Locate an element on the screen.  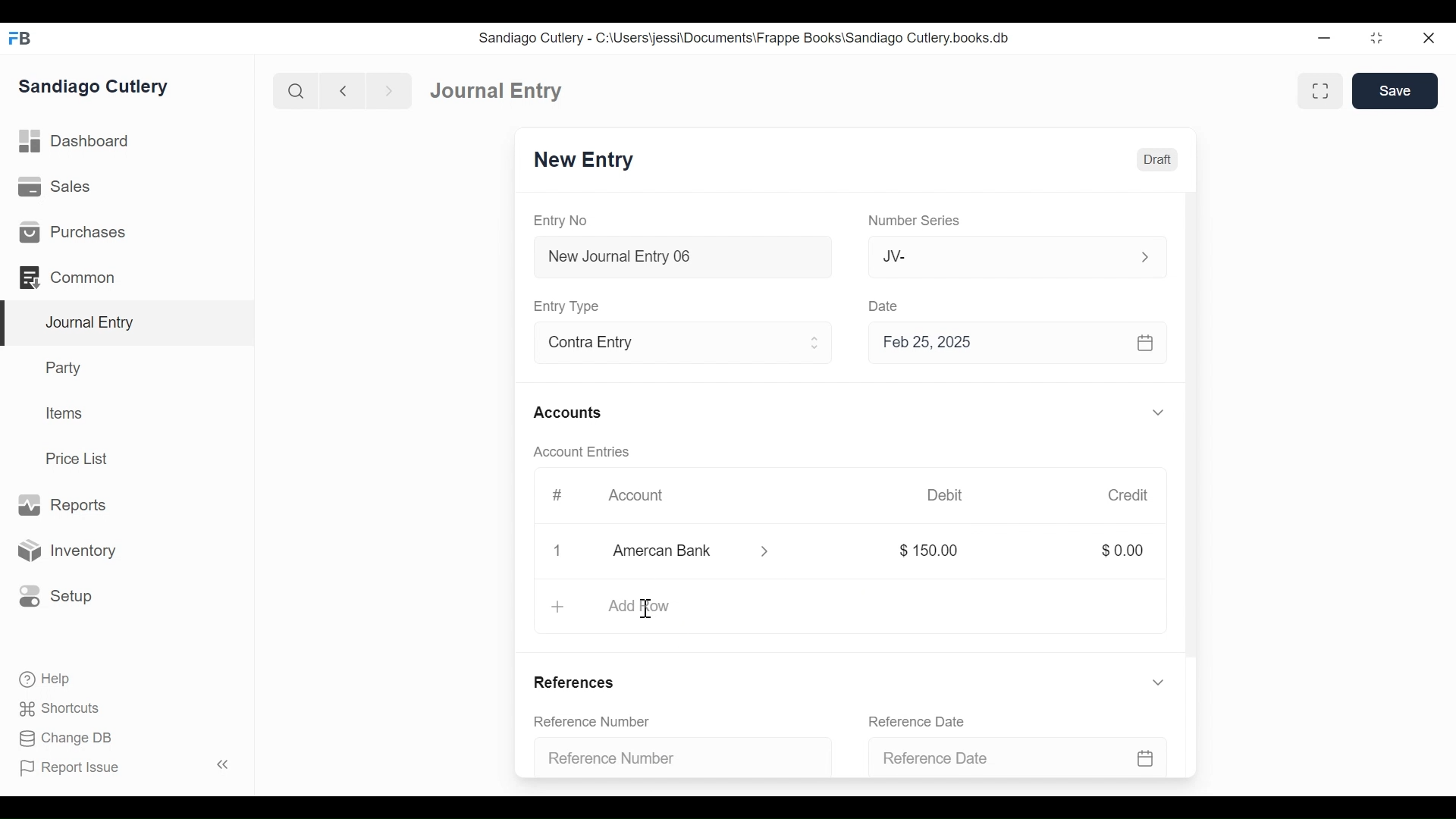
Draft is located at coordinates (1157, 160).